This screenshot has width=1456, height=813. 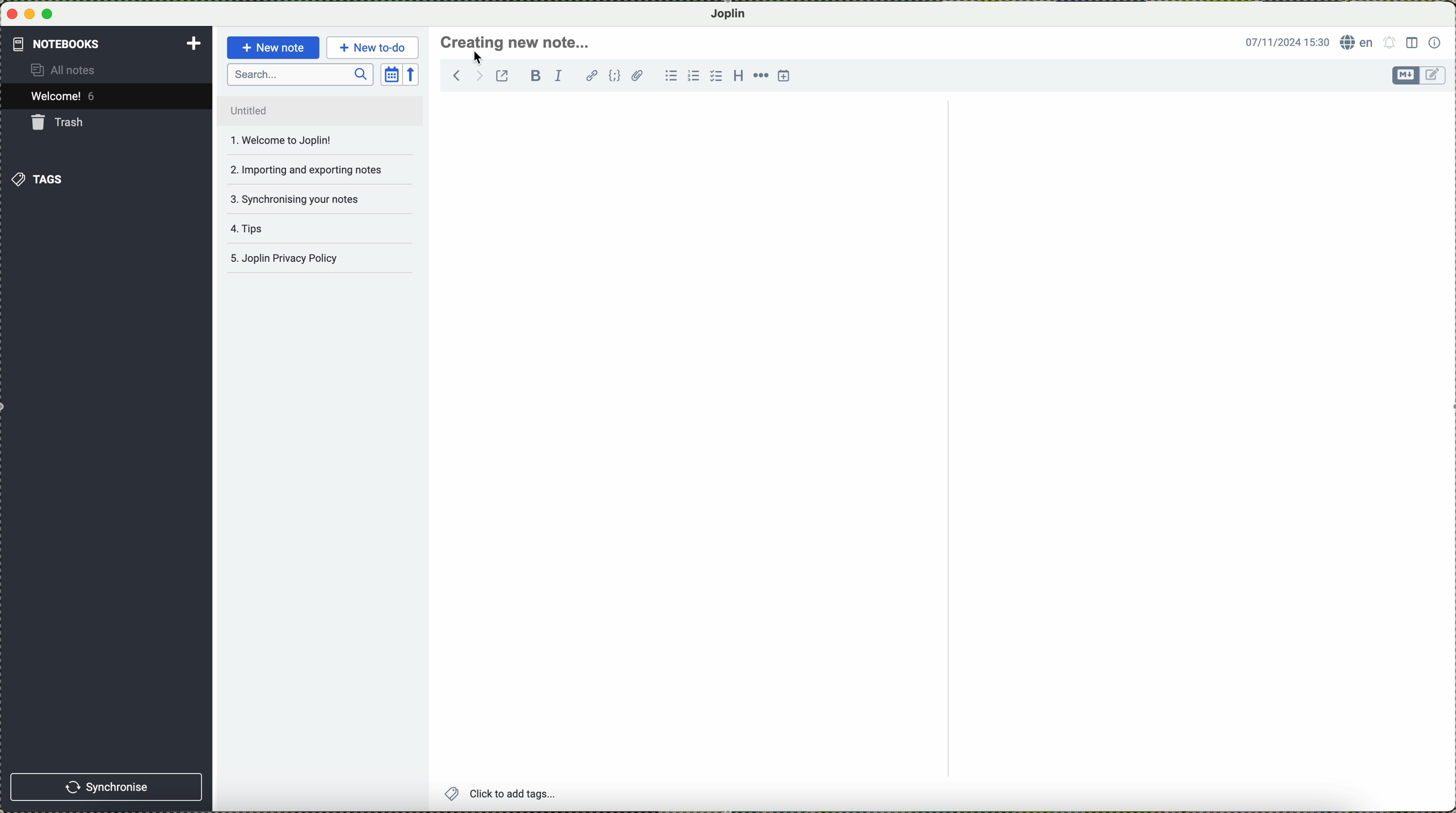 I want to click on language, so click(x=1357, y=42).